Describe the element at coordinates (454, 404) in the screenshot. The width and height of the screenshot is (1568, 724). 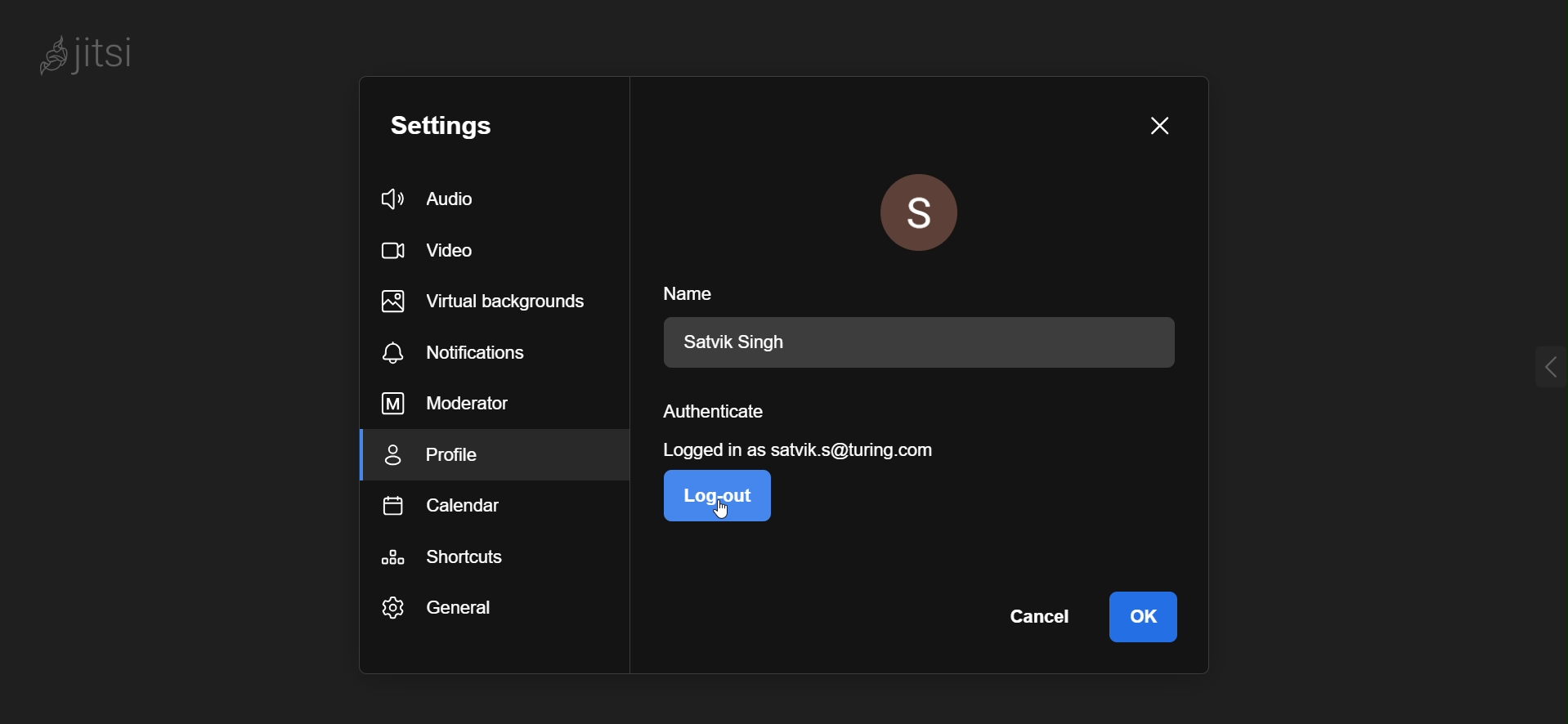
I see `moderator` at that location.